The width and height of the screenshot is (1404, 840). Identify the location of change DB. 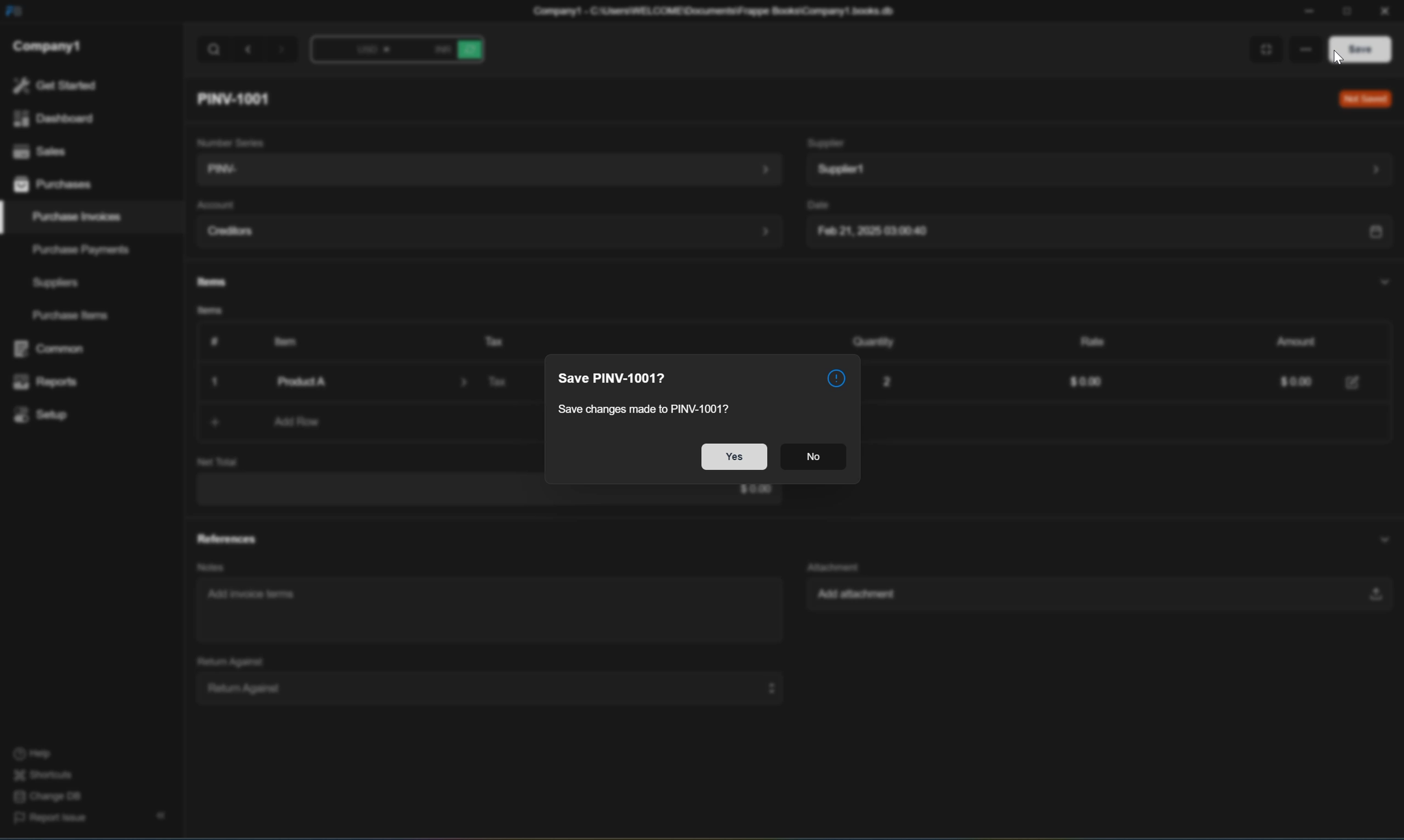
(44, 798).